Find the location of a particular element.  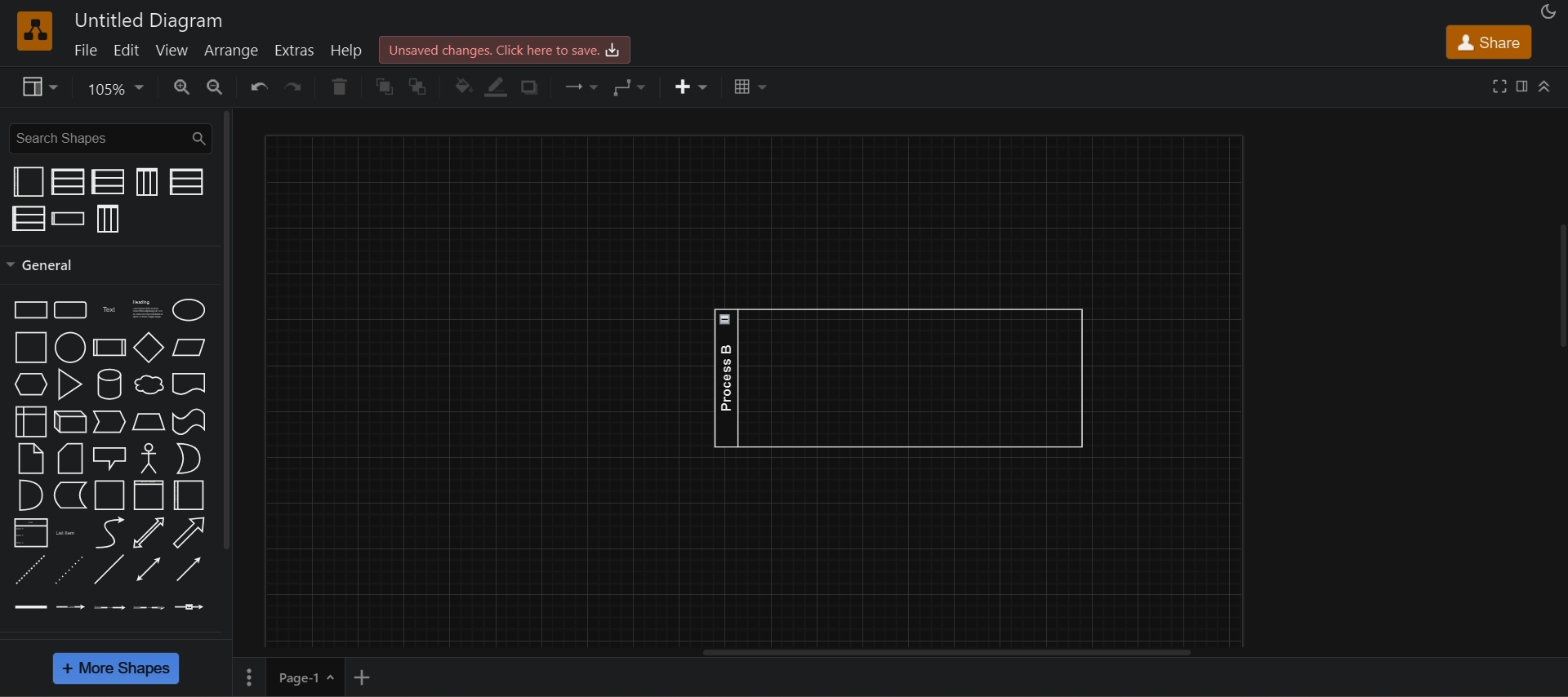

document is located at coordinates (187, 384).